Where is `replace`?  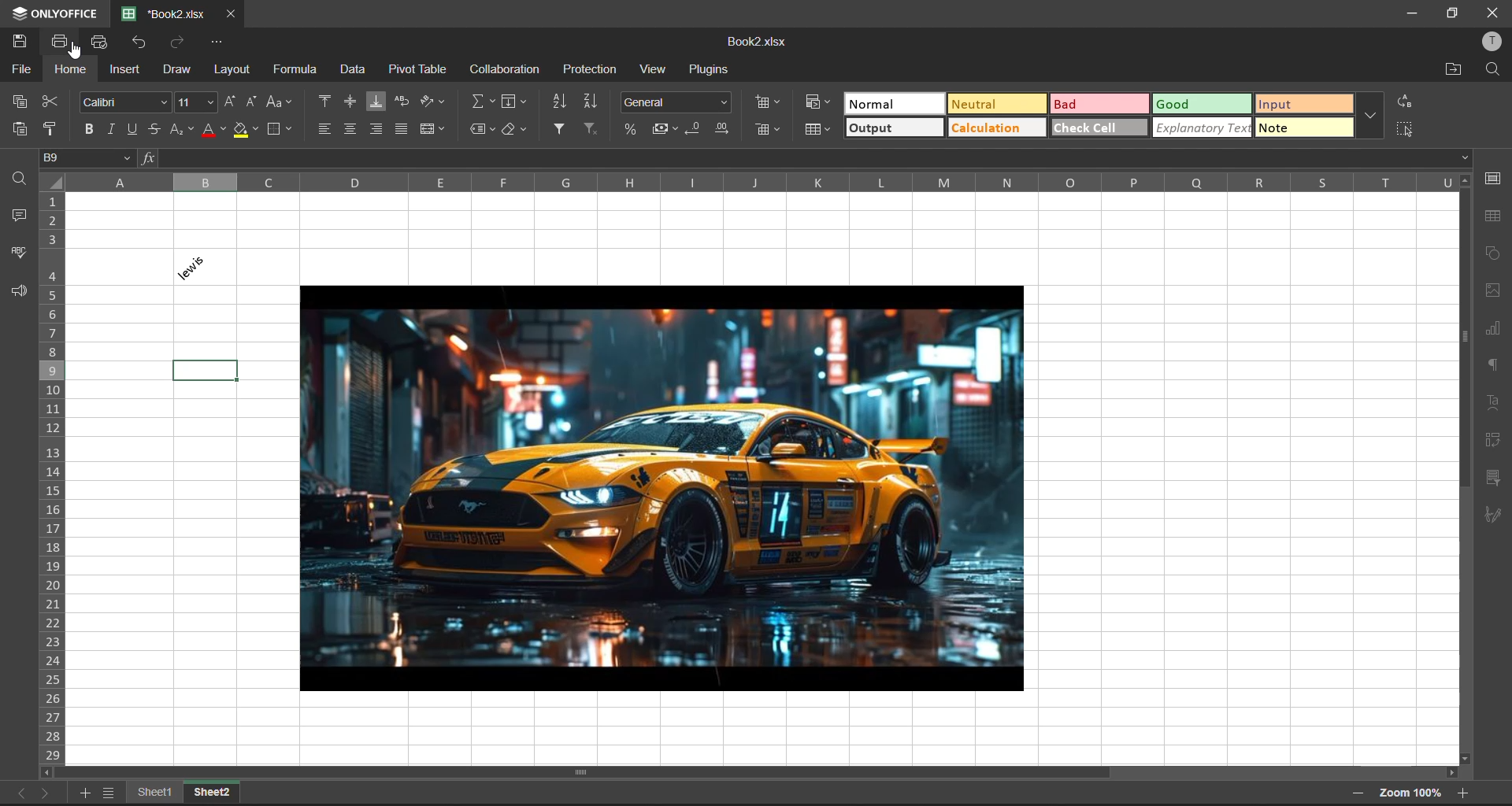
replace is located at coordinates (1406, 102).